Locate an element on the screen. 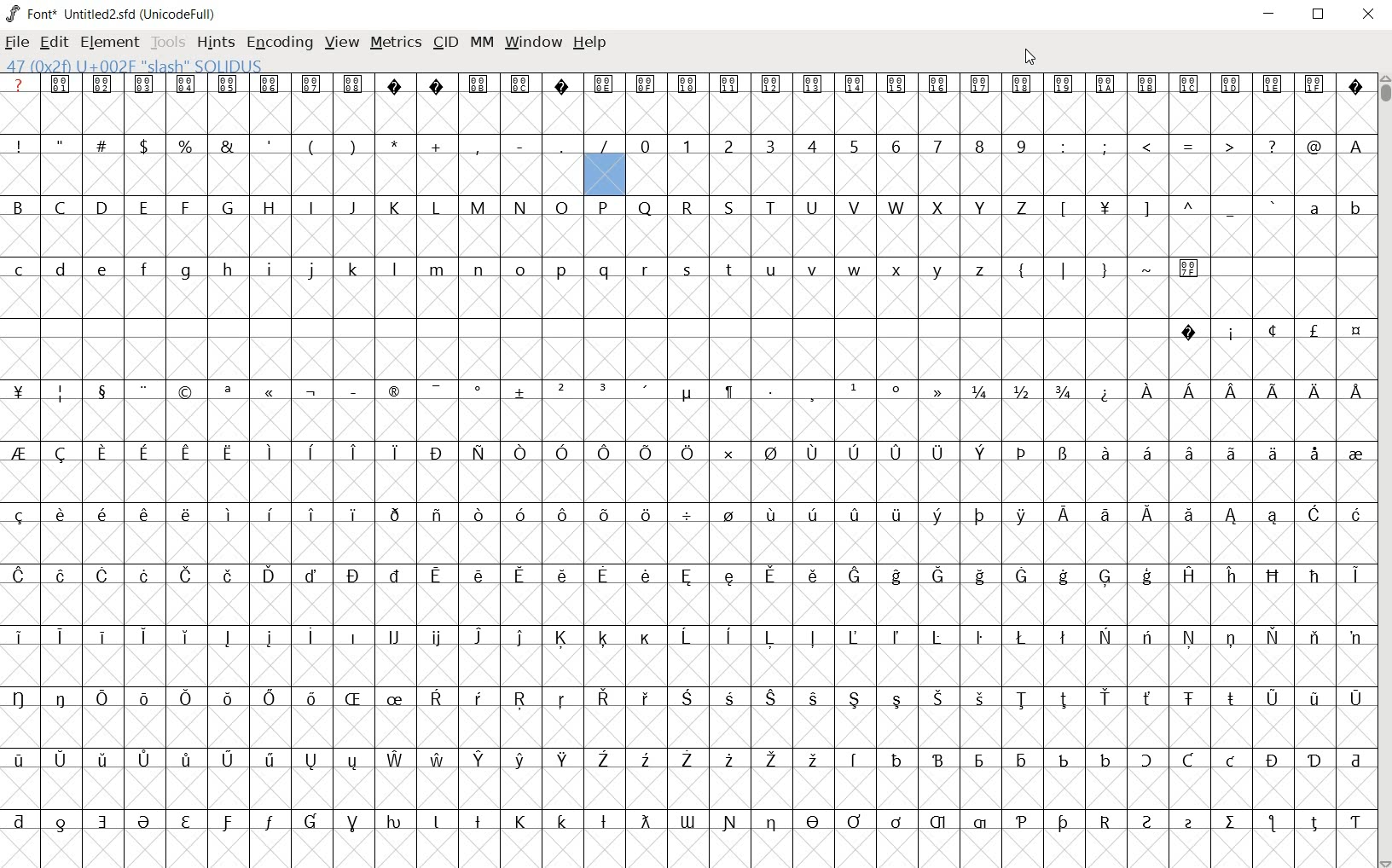 The image size is (1392, 868). HELP is located at coordinates (590, 43).